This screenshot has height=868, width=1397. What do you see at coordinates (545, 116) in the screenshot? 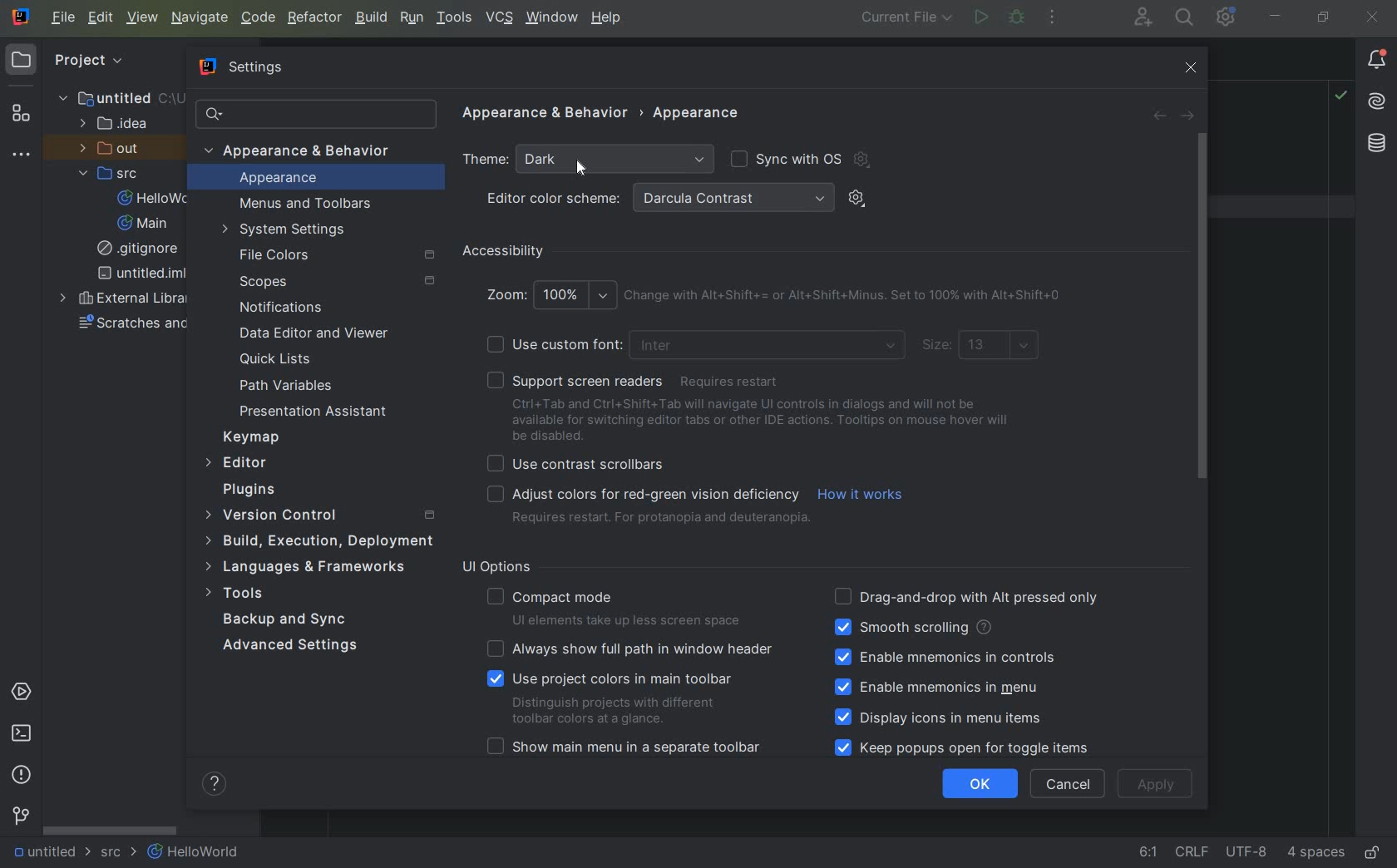
I see `APPEARANCE & BEHAVIOR` at bounding box center [545, 116].